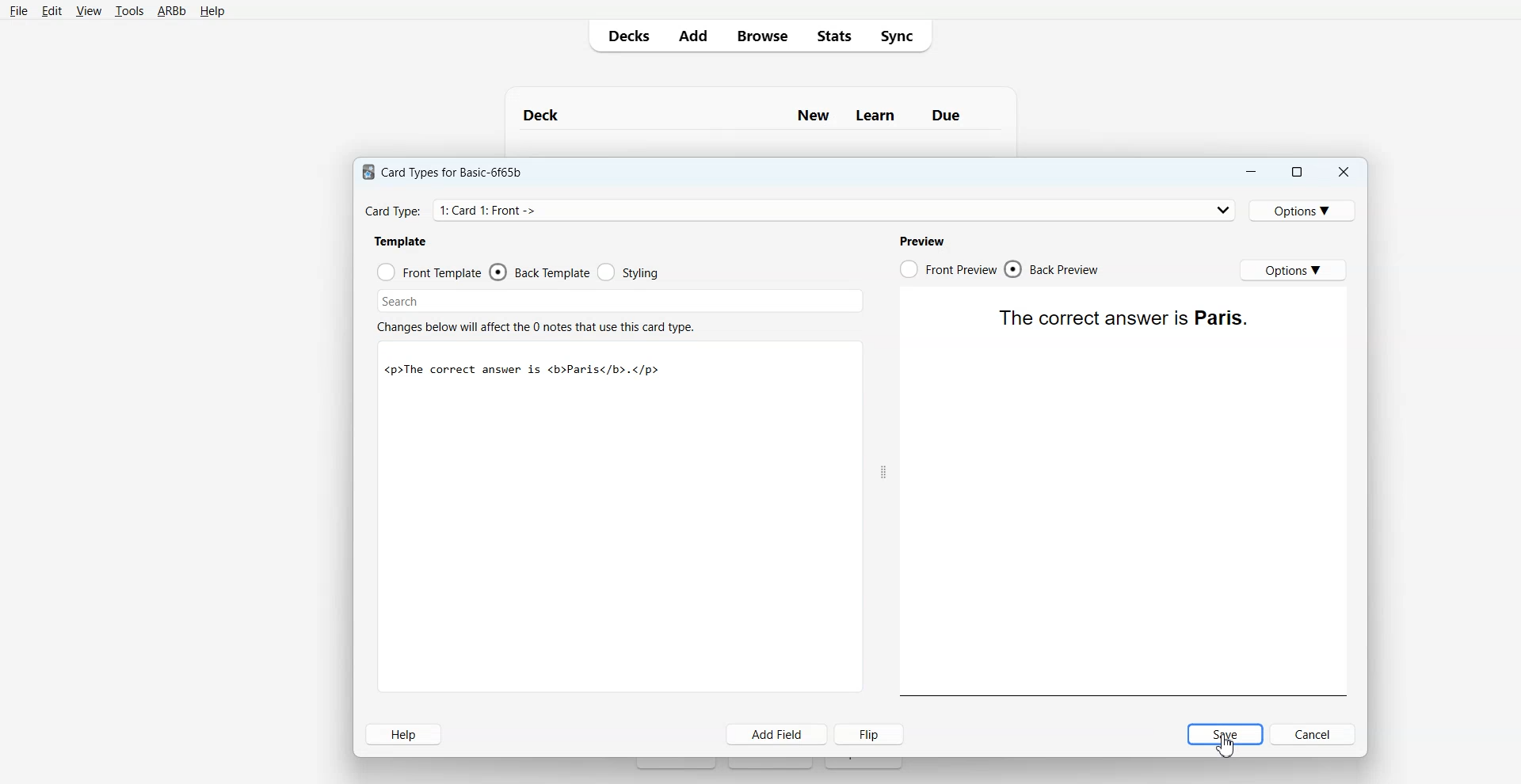  I want to click on Text 2, so click(401, 241).